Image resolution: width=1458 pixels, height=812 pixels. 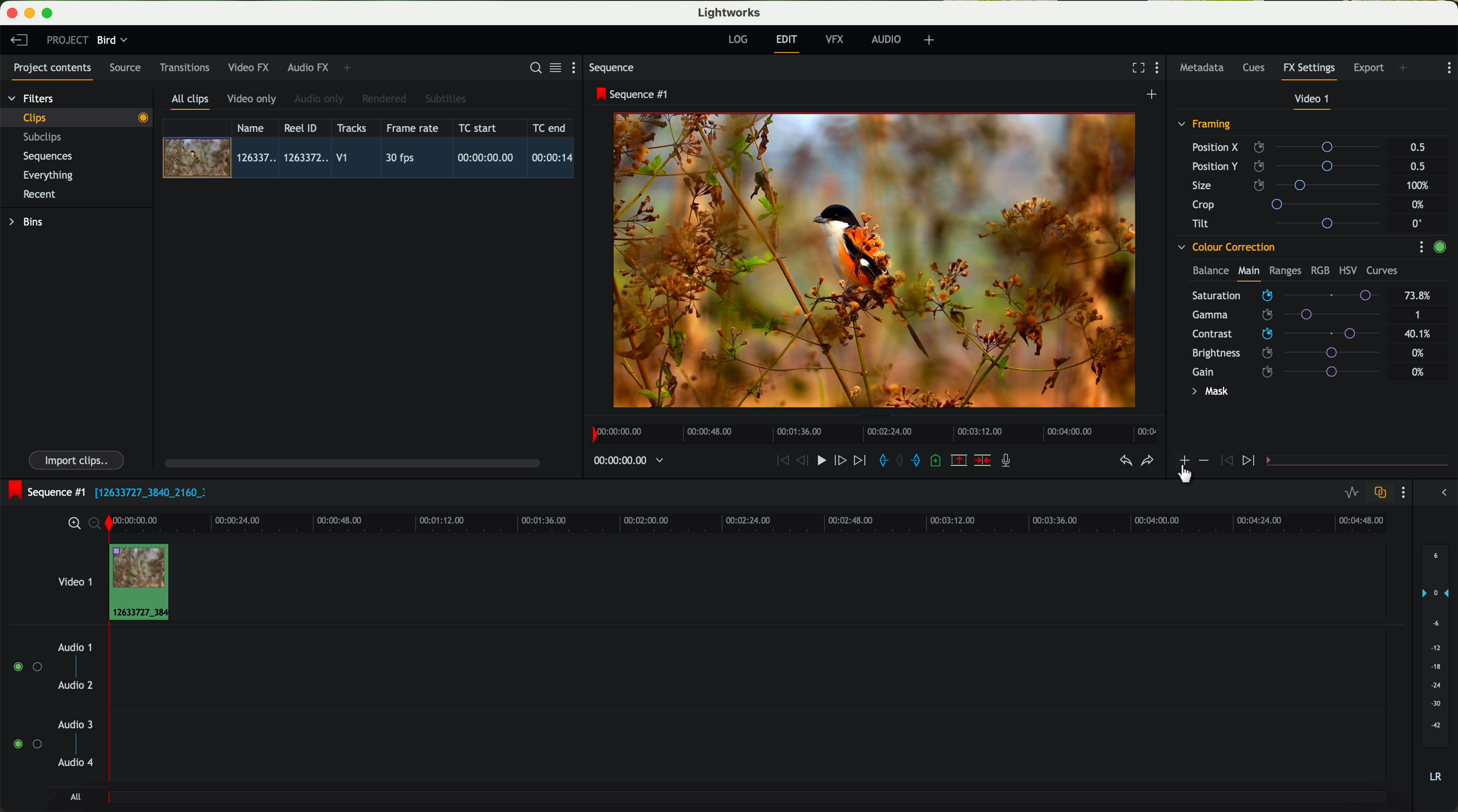 I want to click on click on contrast, so click(x=1286, y=335).